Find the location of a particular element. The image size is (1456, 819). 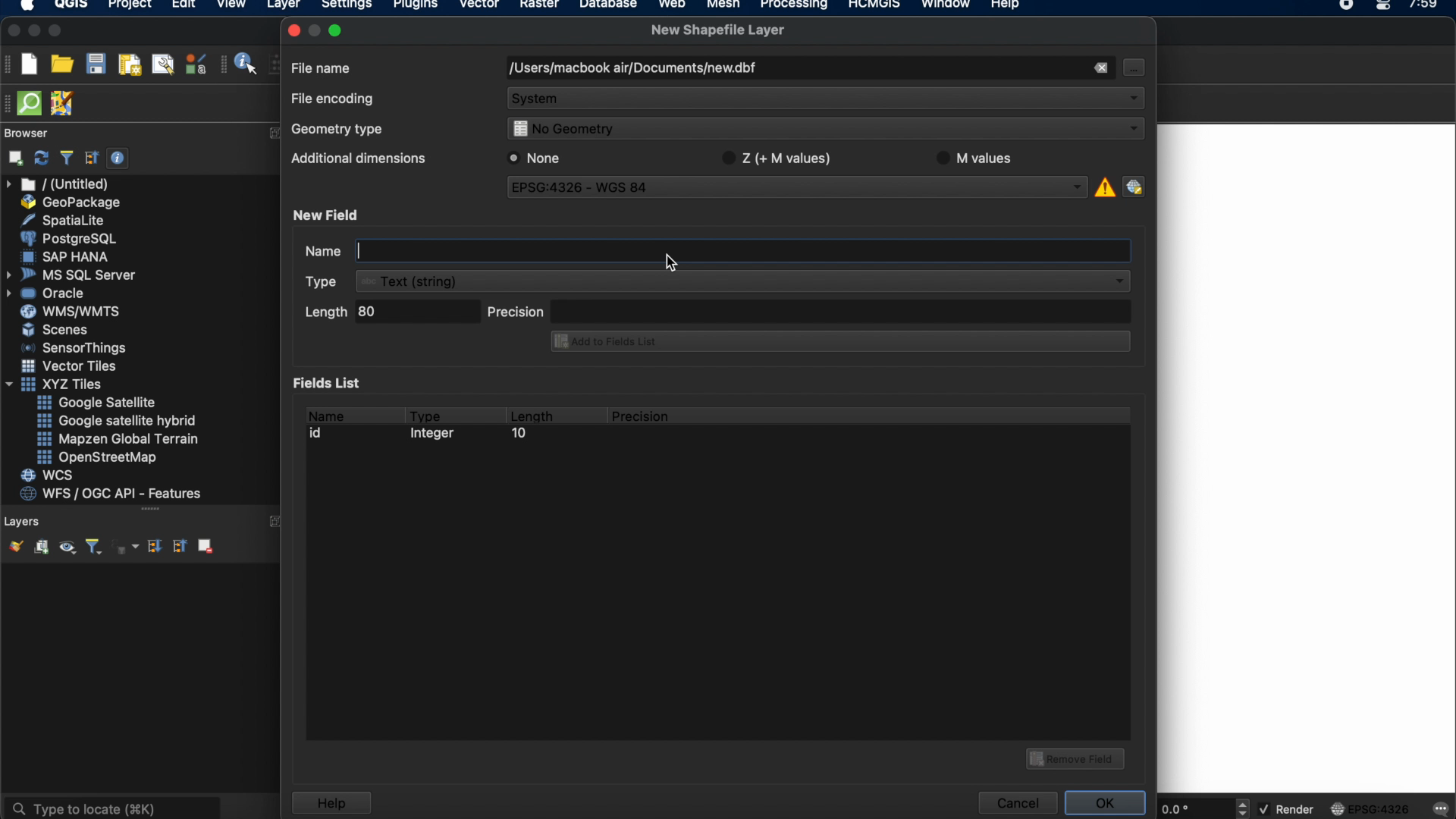

vector is located at coordinates (480, 6).